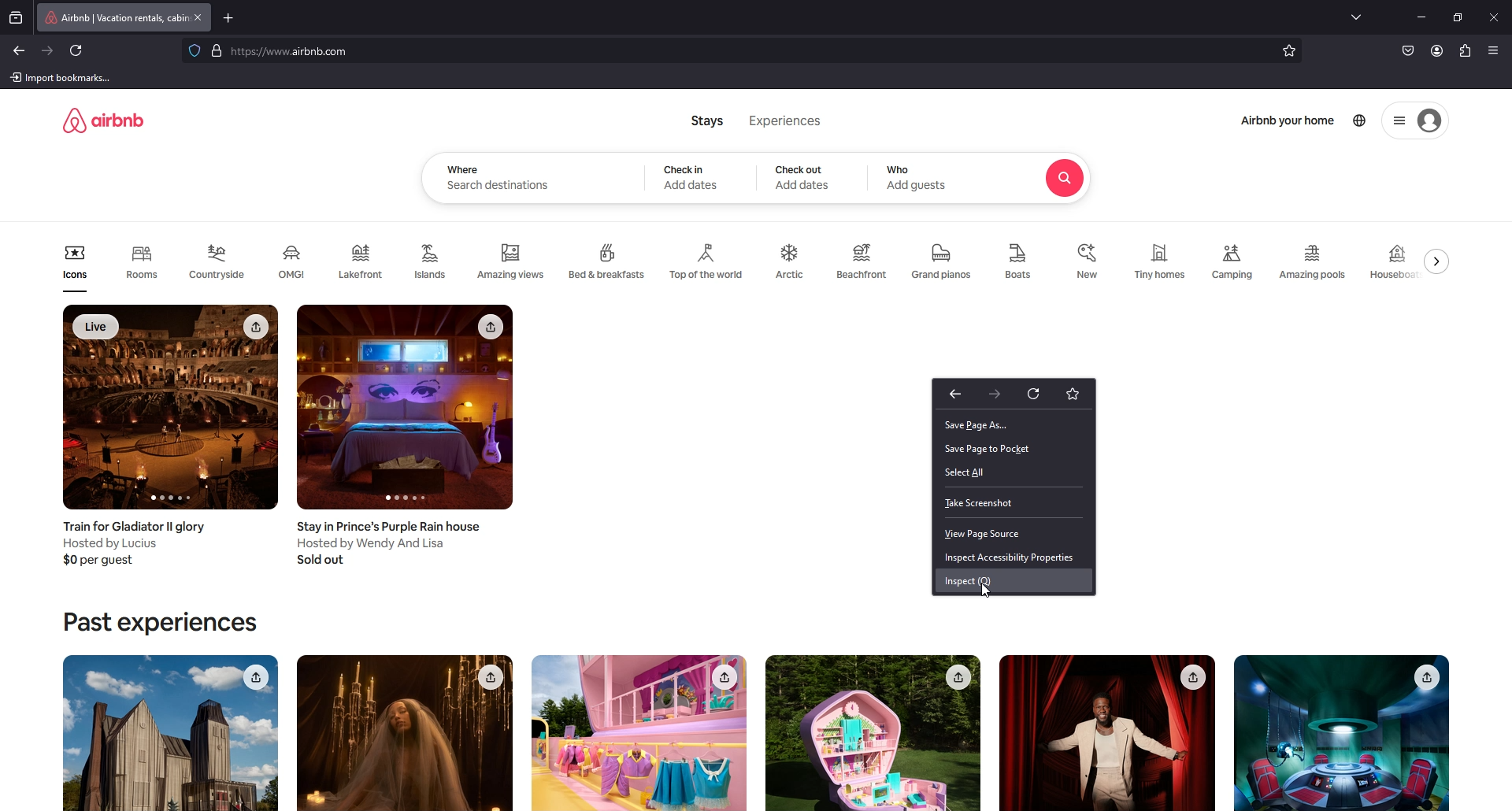 The width and height of the screenshot is (1512, 811). Describe the element at coordinates (295, 262) in the screenshot. I see `OMG!` at that location.